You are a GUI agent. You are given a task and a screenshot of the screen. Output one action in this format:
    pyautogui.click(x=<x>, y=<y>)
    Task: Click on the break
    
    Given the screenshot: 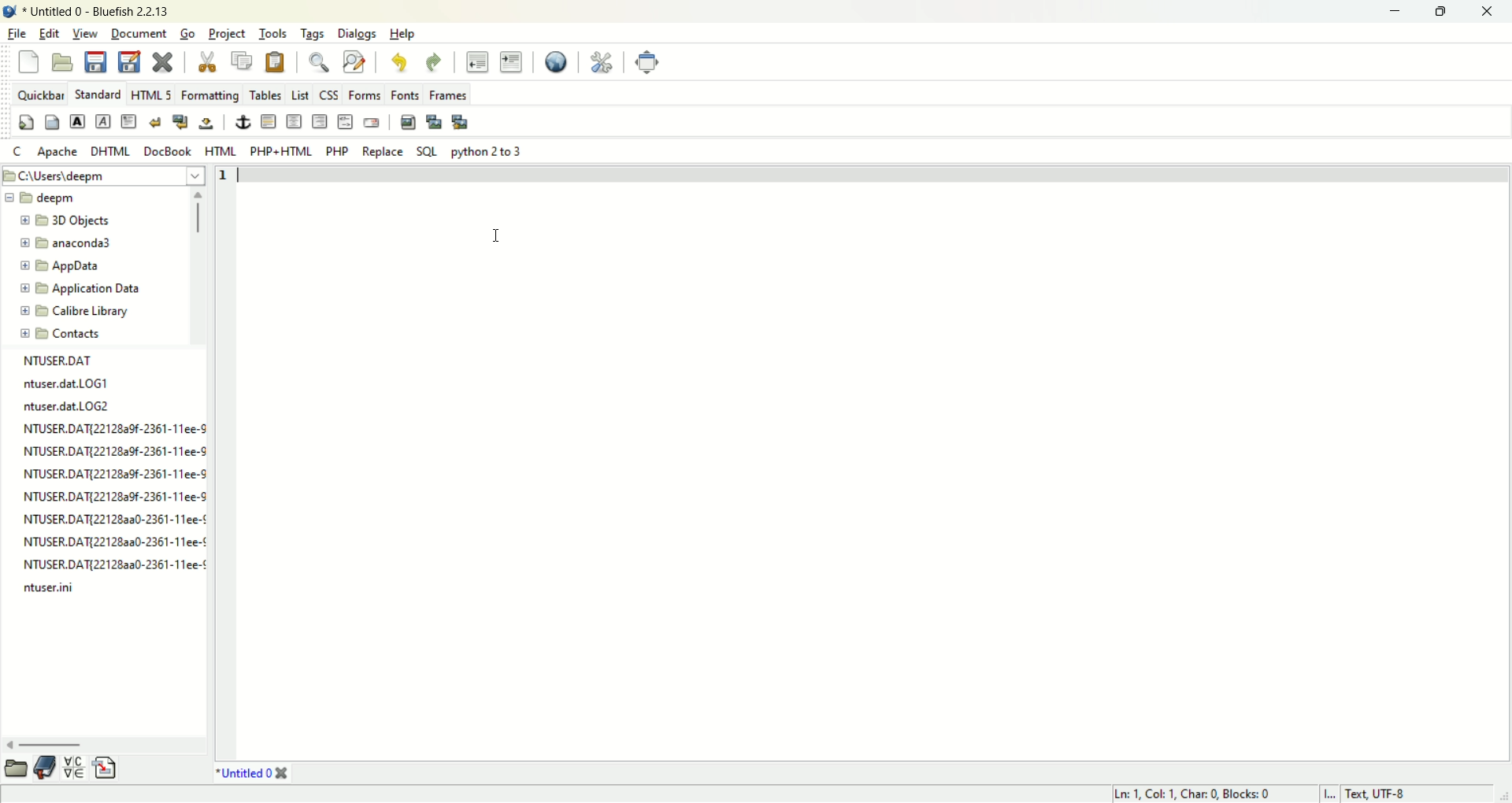 What is the action you would take?
    pyautogui.click(x=155, y=121)
    